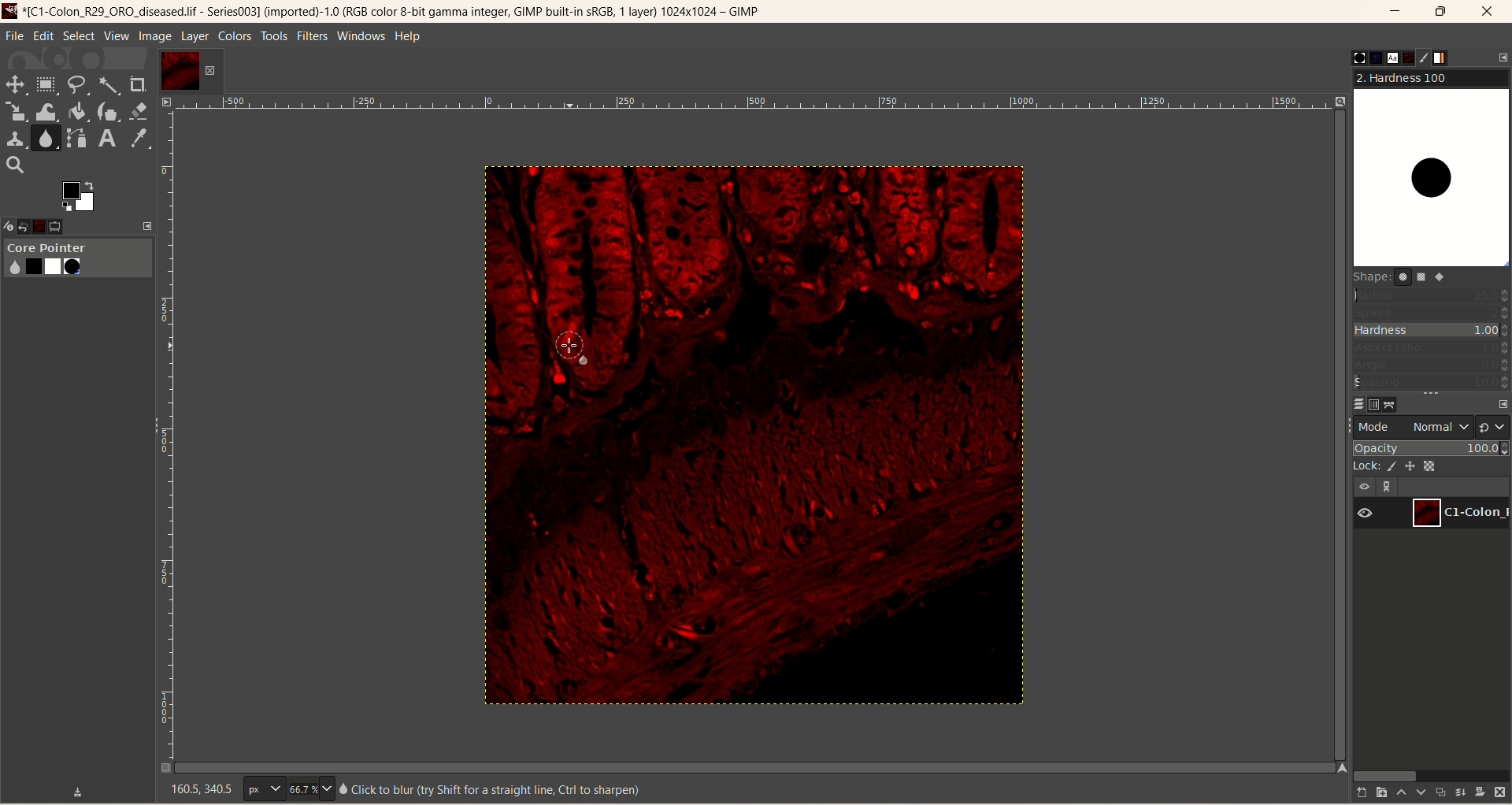 This screenshot has height=805, width=1512. What do you see at coordinates (10, 224) in the screenshot?
I see `device status` at bounding box center [10, 224].